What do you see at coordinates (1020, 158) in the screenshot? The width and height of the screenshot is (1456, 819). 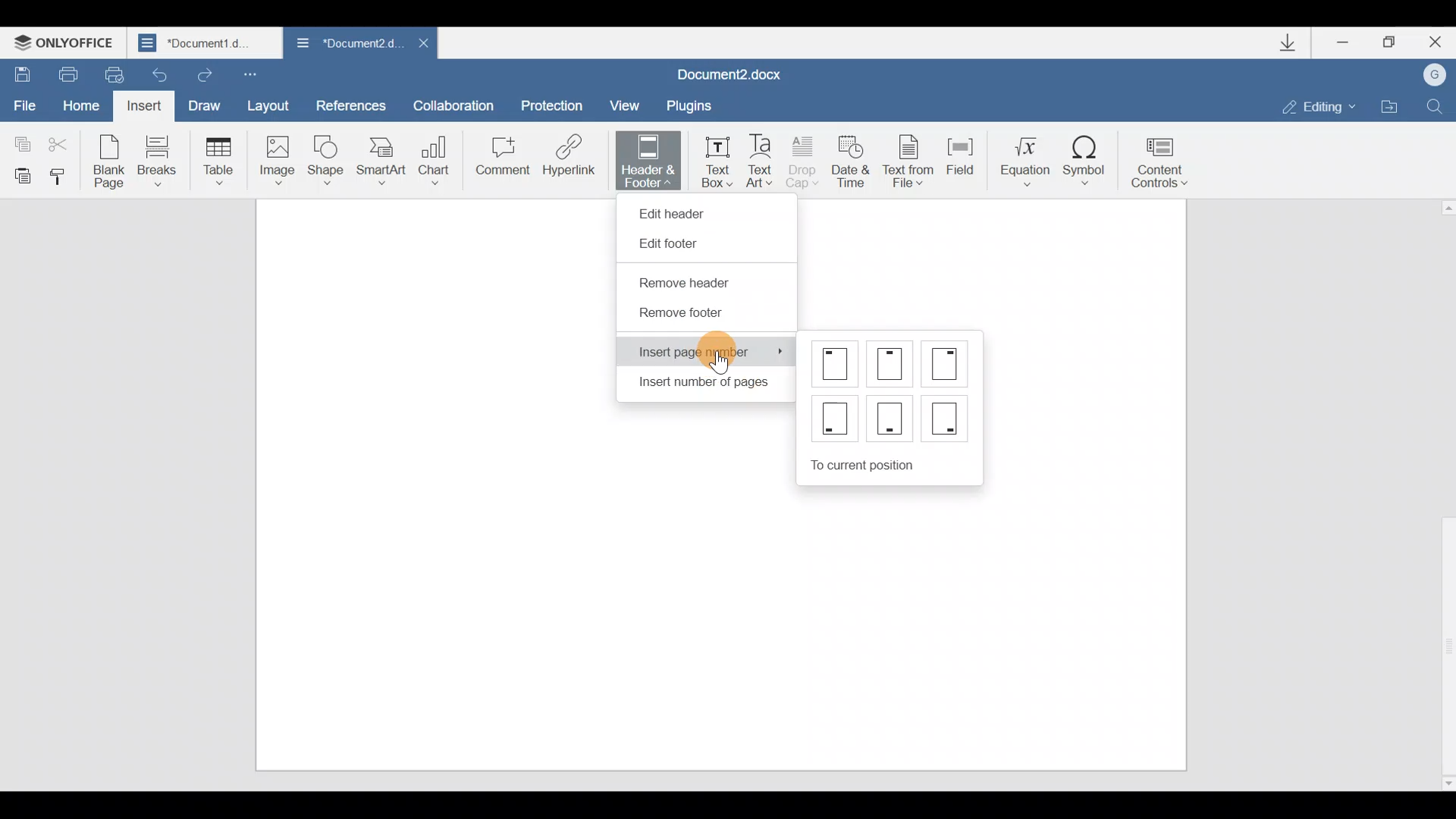 I see `Equation` at bounding box center [1020, 158].